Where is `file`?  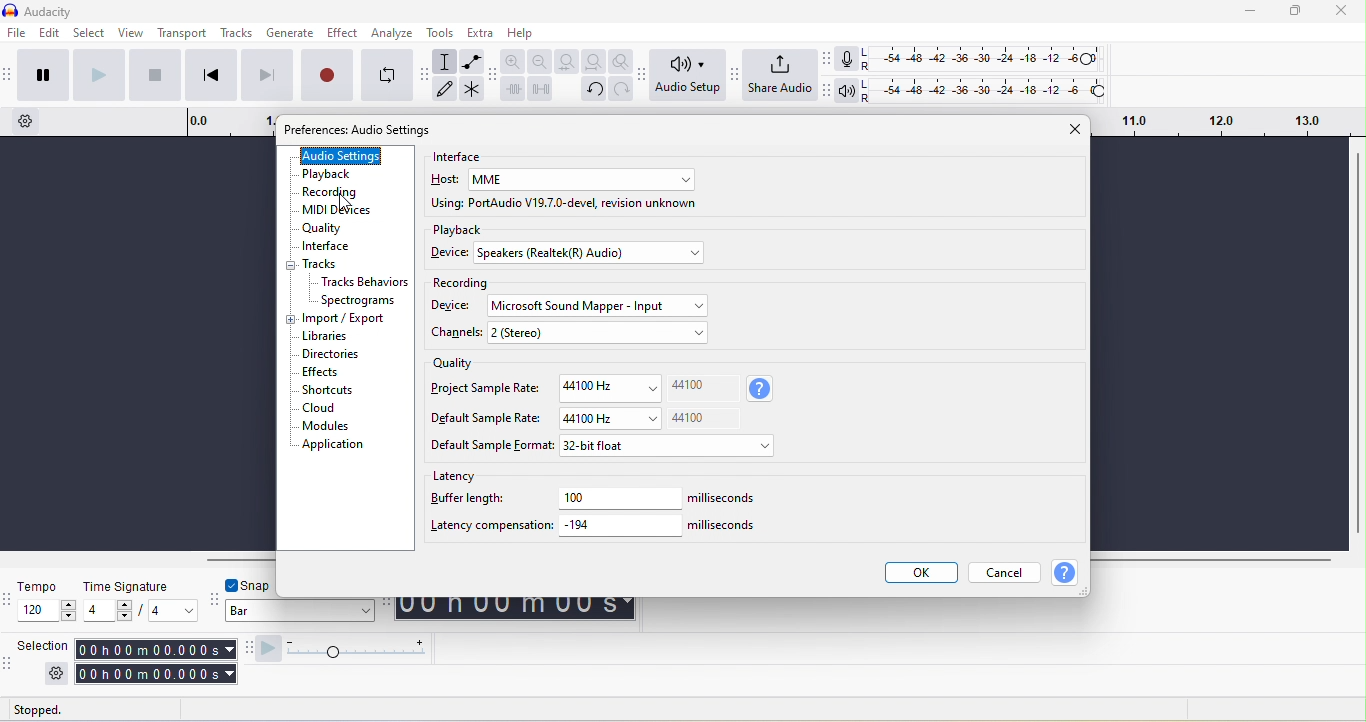 file is located at coordinates (18, 34).